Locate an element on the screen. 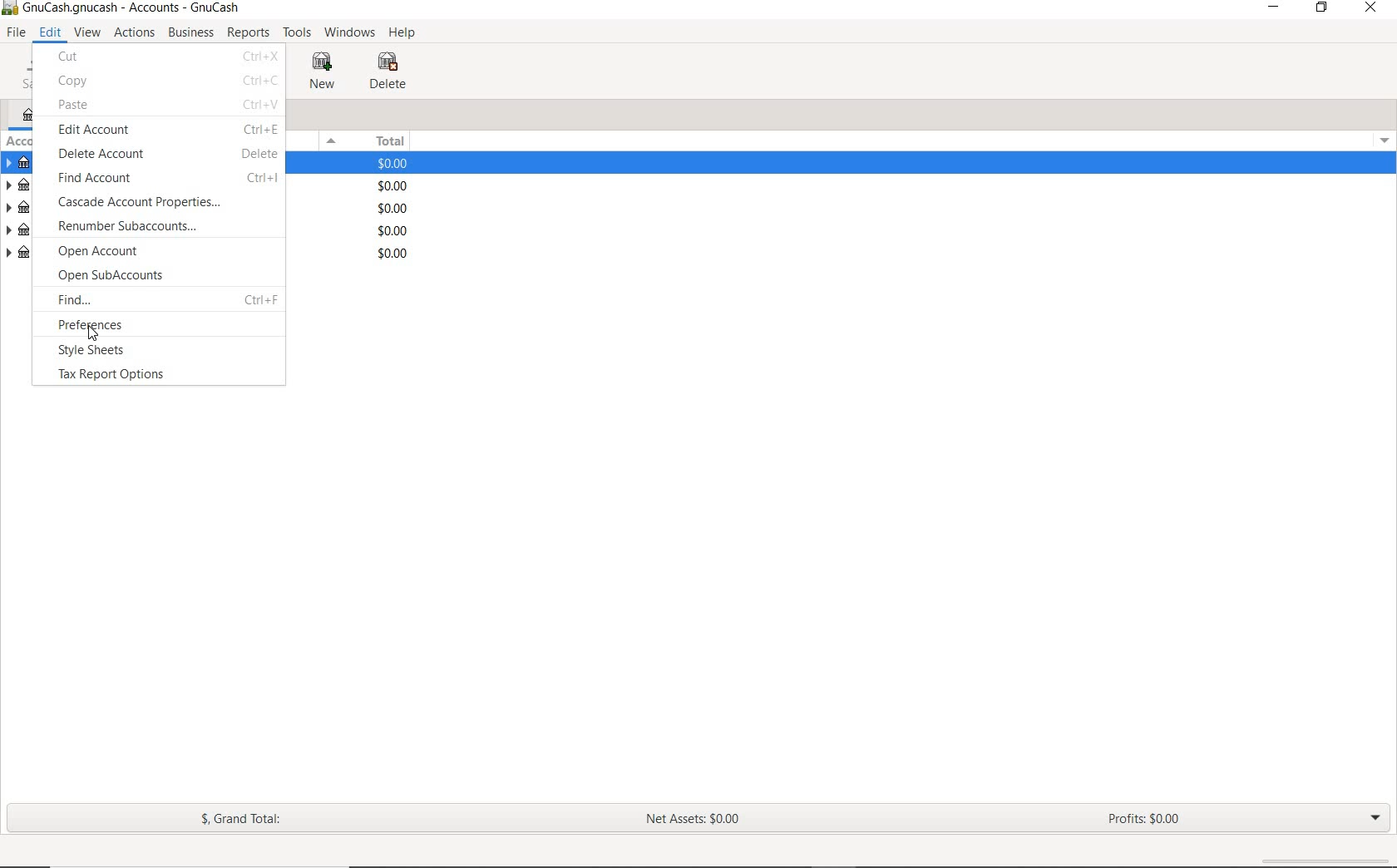  CUT is located at coordinates (165, 56).